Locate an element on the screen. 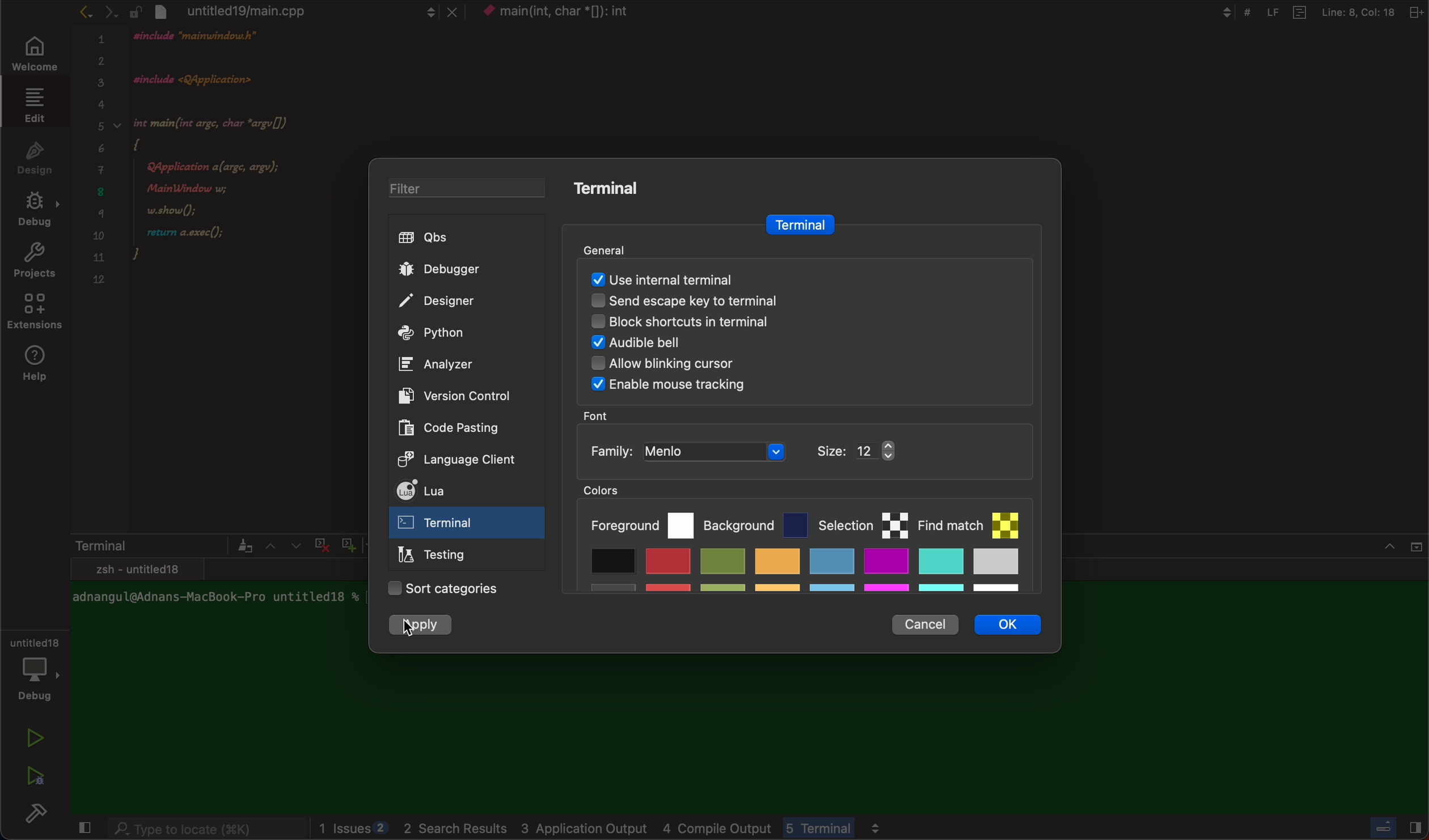 Image resolution: width=1429 pixels, height=840 pixels. close is located at coordinates (82, 829).